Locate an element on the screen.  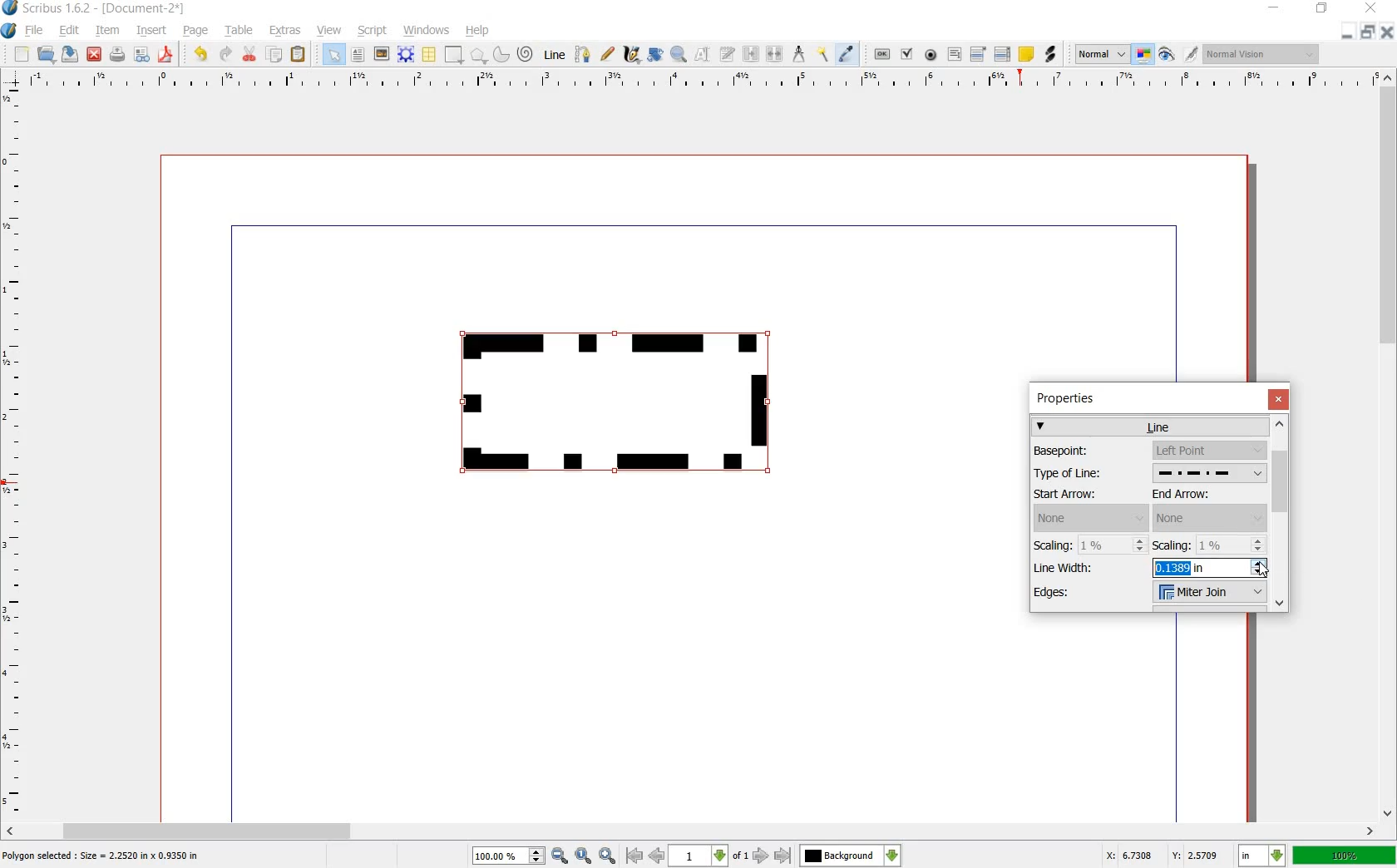
100% is located at coordinates (1344, 856).